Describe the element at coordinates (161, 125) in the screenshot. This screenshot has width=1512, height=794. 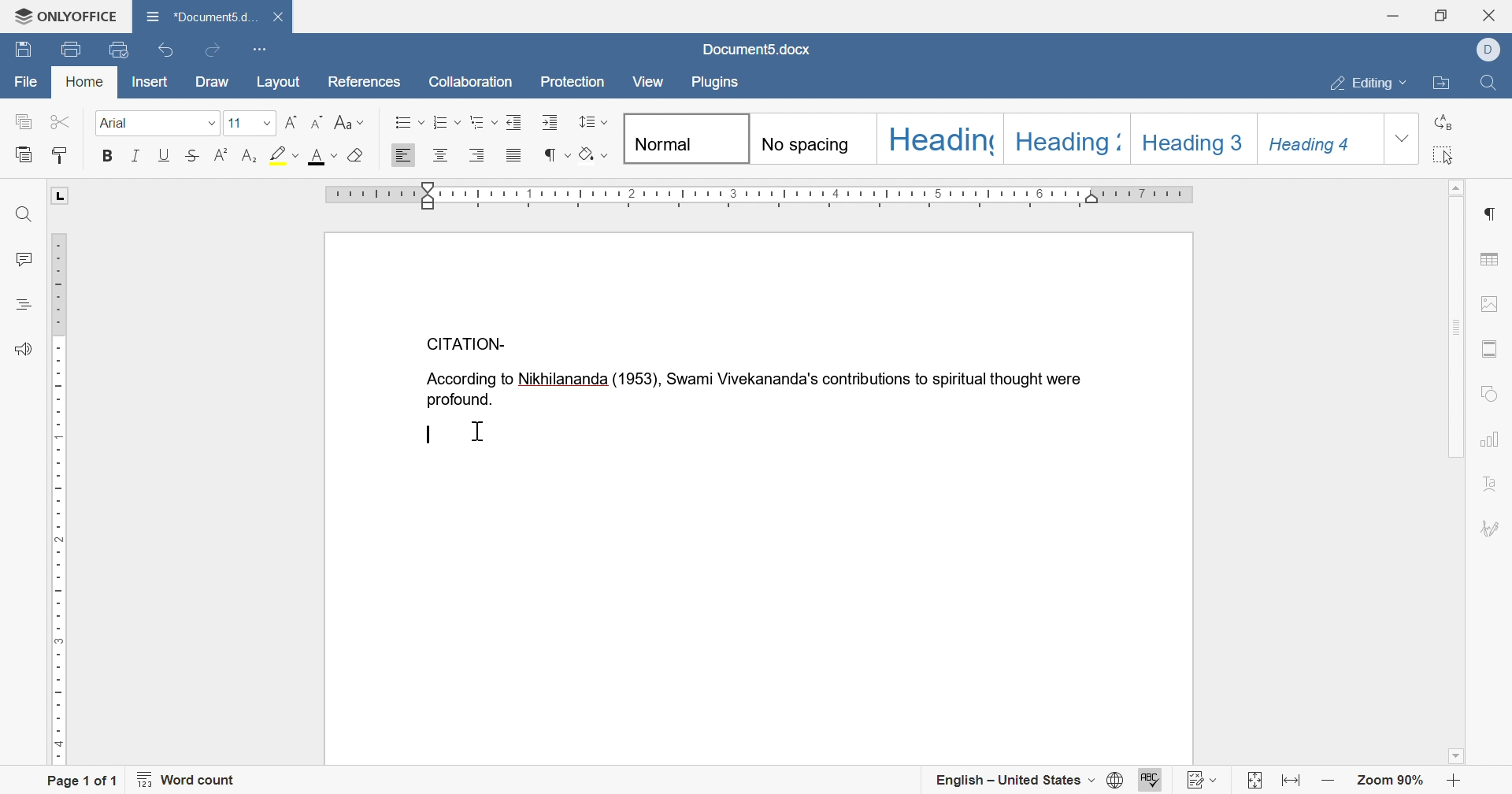
I see `font size` at that location.